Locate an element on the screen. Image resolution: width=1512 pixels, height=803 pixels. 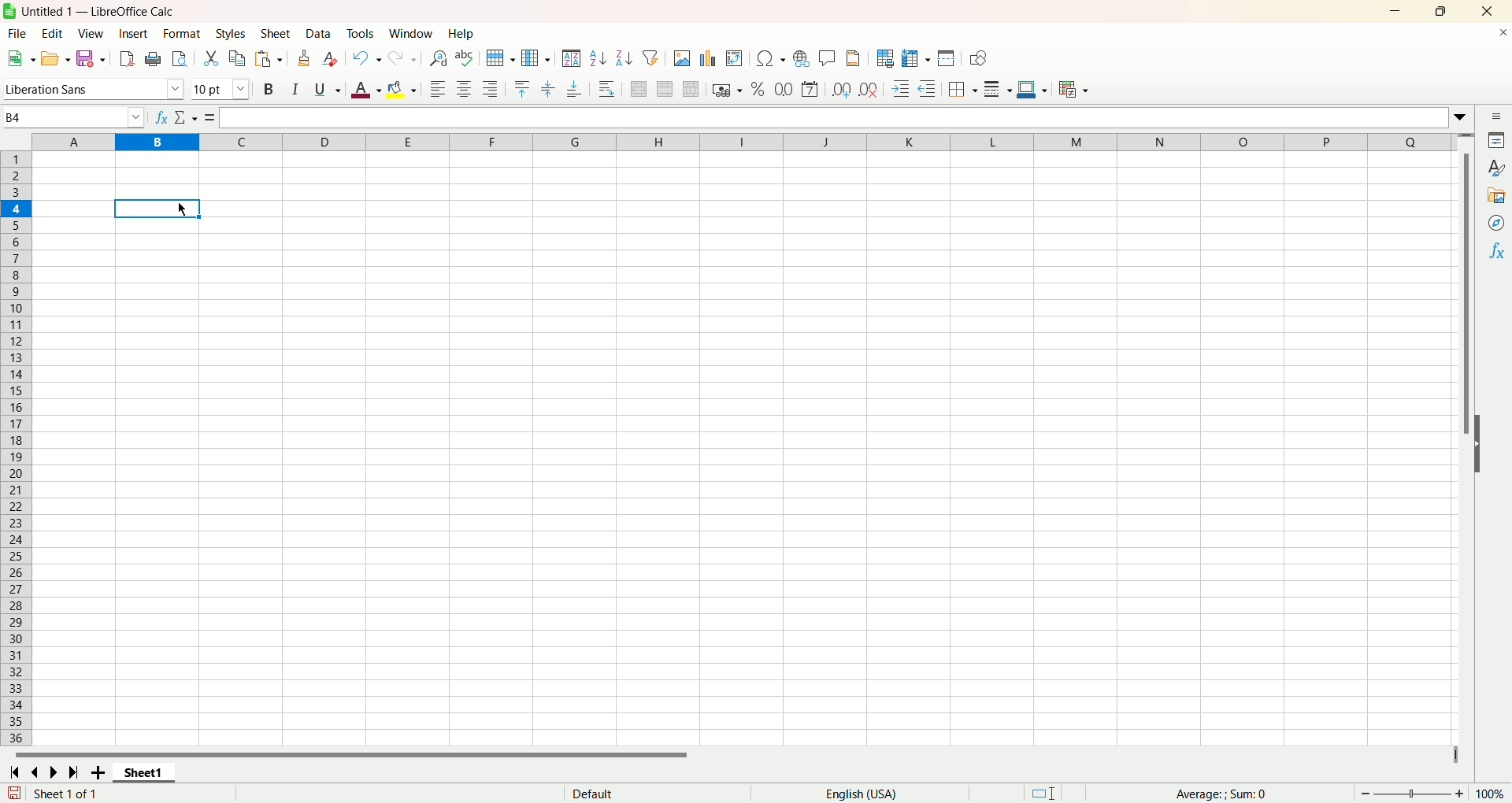
border style is located at coordinates (998, 91).